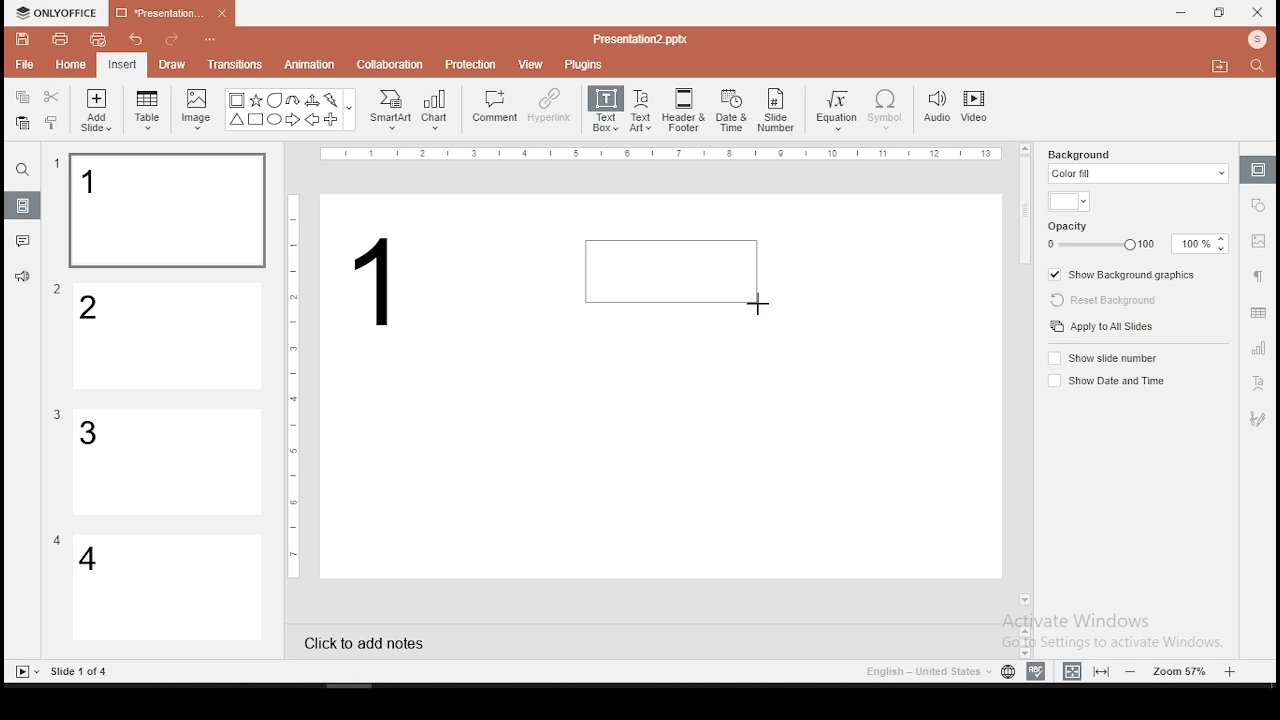 This screenshot has width=1280, height=720. What do you see at coordinates (672, 270) in the screenshot?
I see `active text box` at bounding box center [672, 270].